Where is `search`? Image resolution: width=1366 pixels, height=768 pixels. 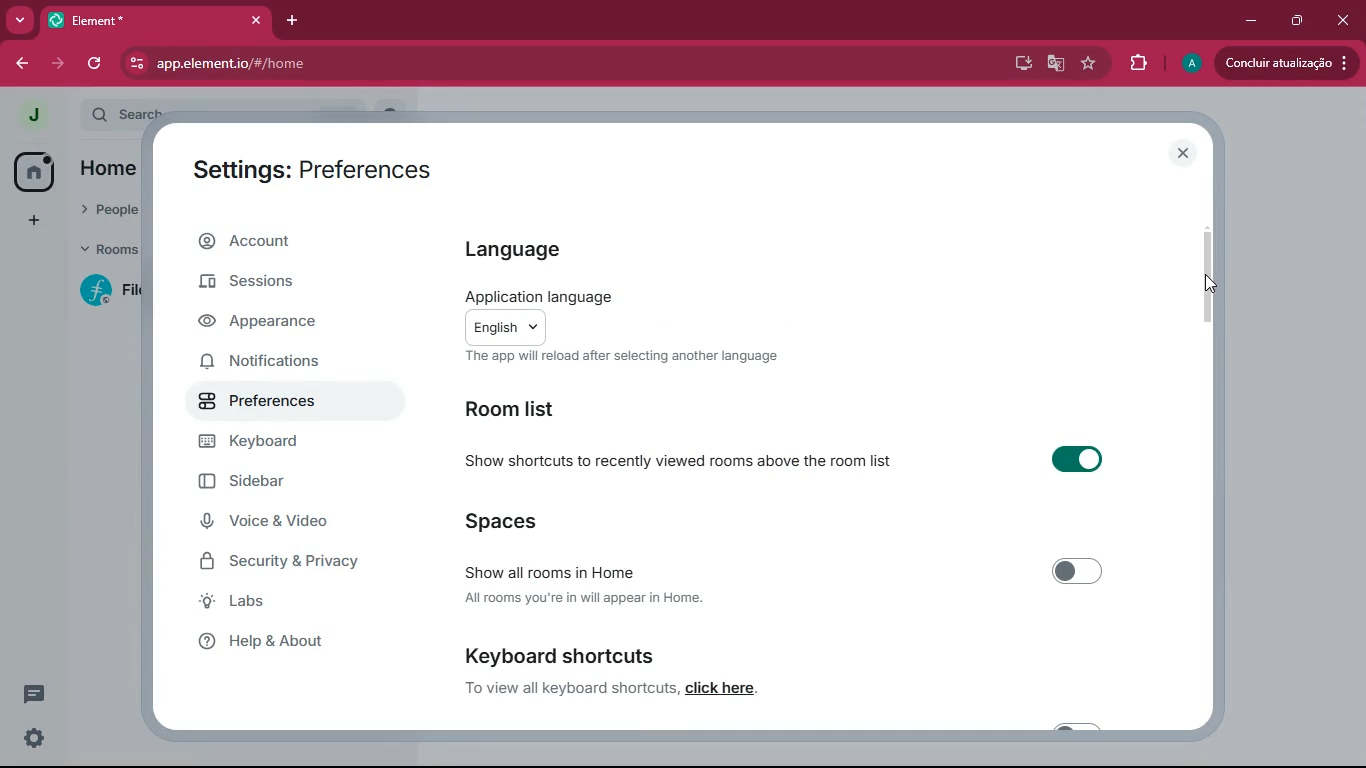 search is located at coordinates (120, 114).